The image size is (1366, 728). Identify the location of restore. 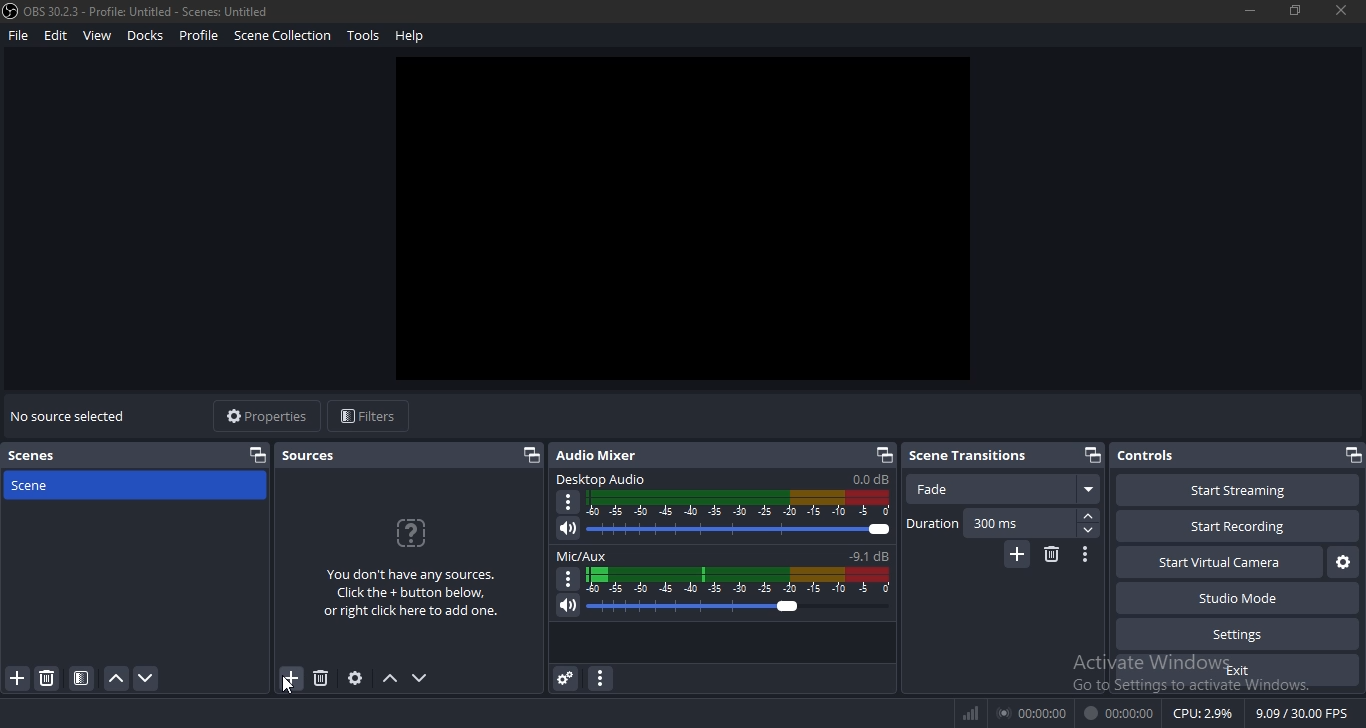
(530, 454).